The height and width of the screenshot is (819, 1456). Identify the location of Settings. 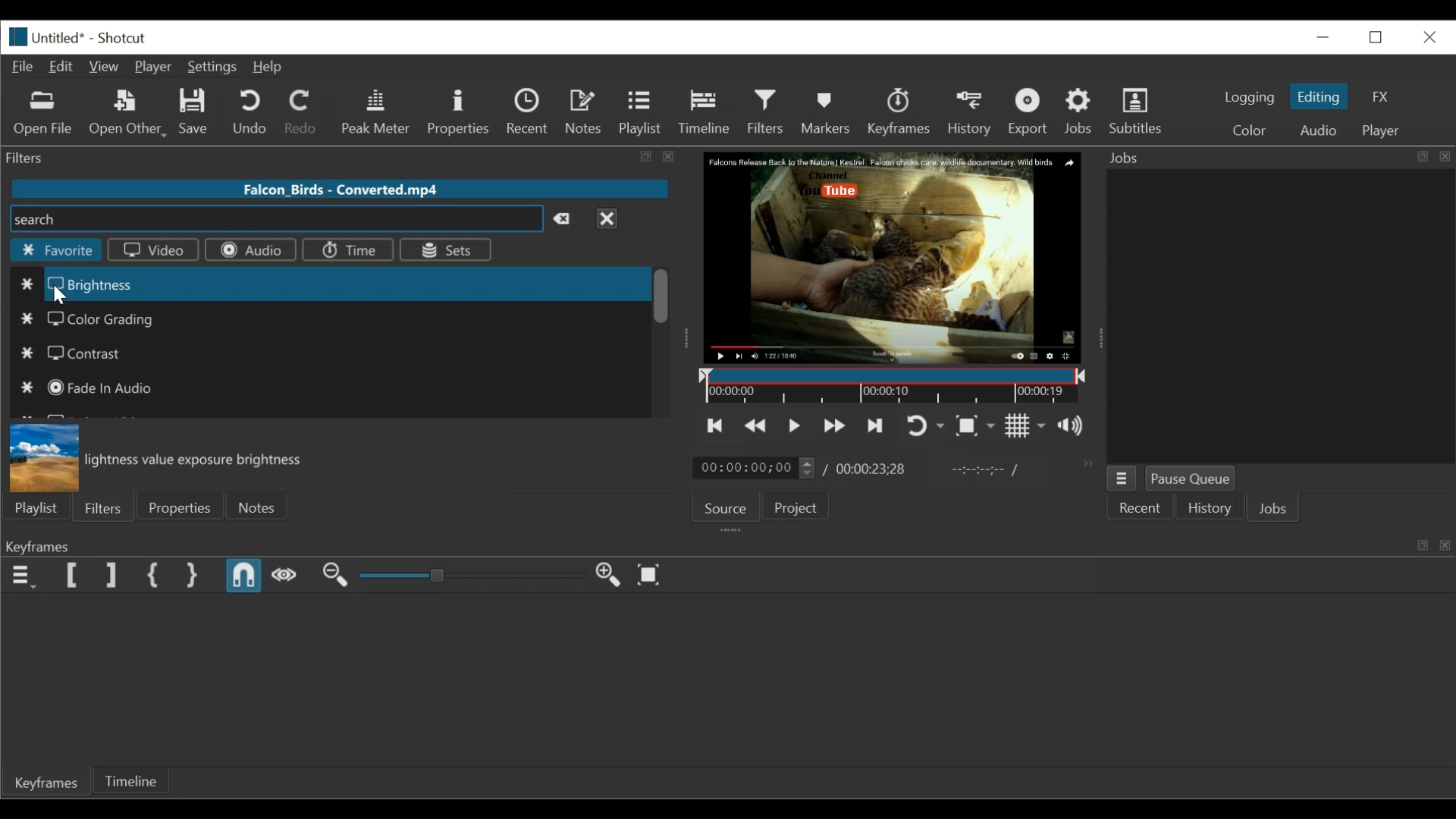
(215, 67).